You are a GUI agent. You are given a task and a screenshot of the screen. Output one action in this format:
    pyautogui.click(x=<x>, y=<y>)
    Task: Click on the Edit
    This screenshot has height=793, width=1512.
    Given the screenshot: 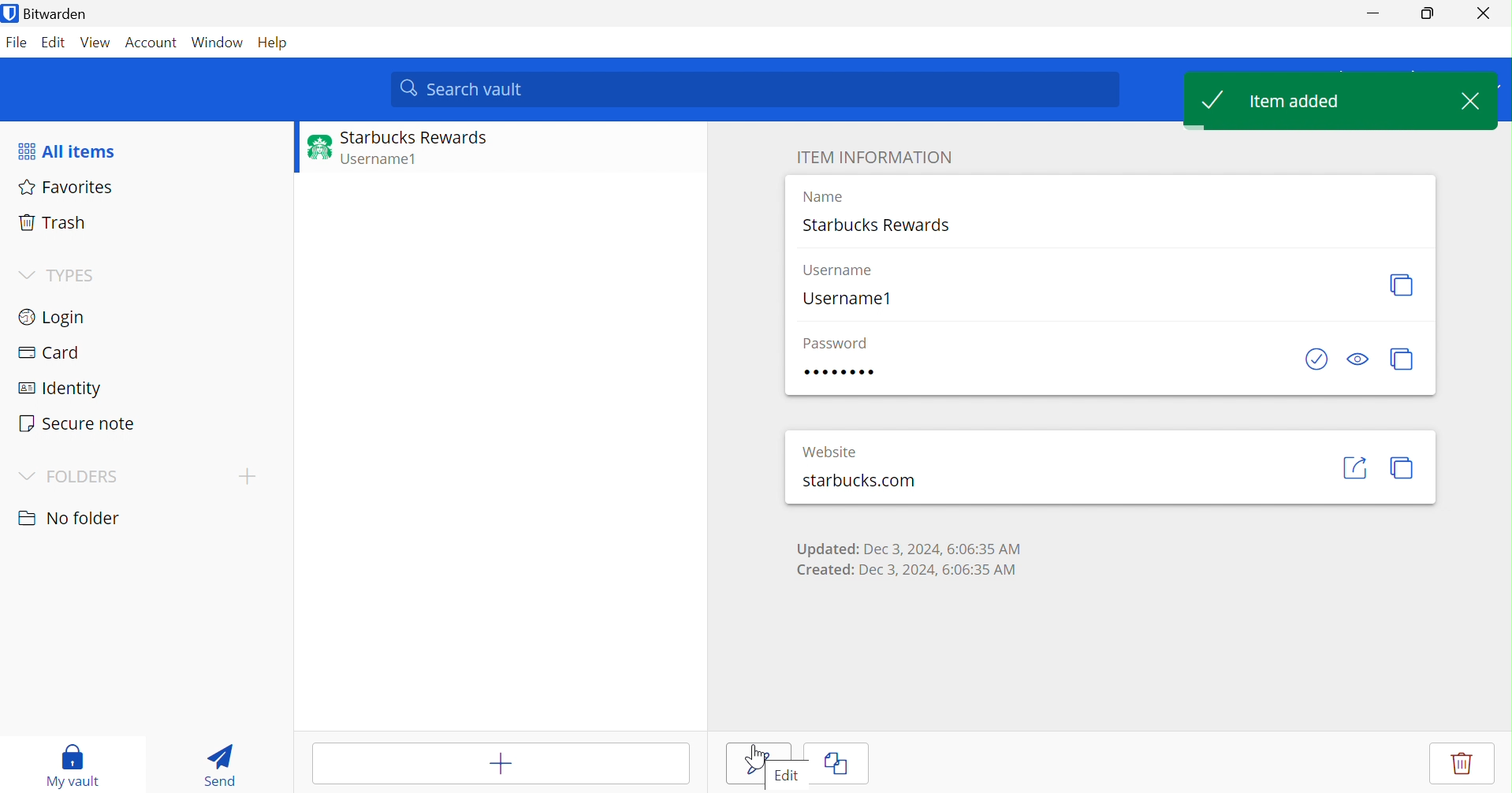 What is the action you would take?
    pyautogui.click(x=55, y=44)
    